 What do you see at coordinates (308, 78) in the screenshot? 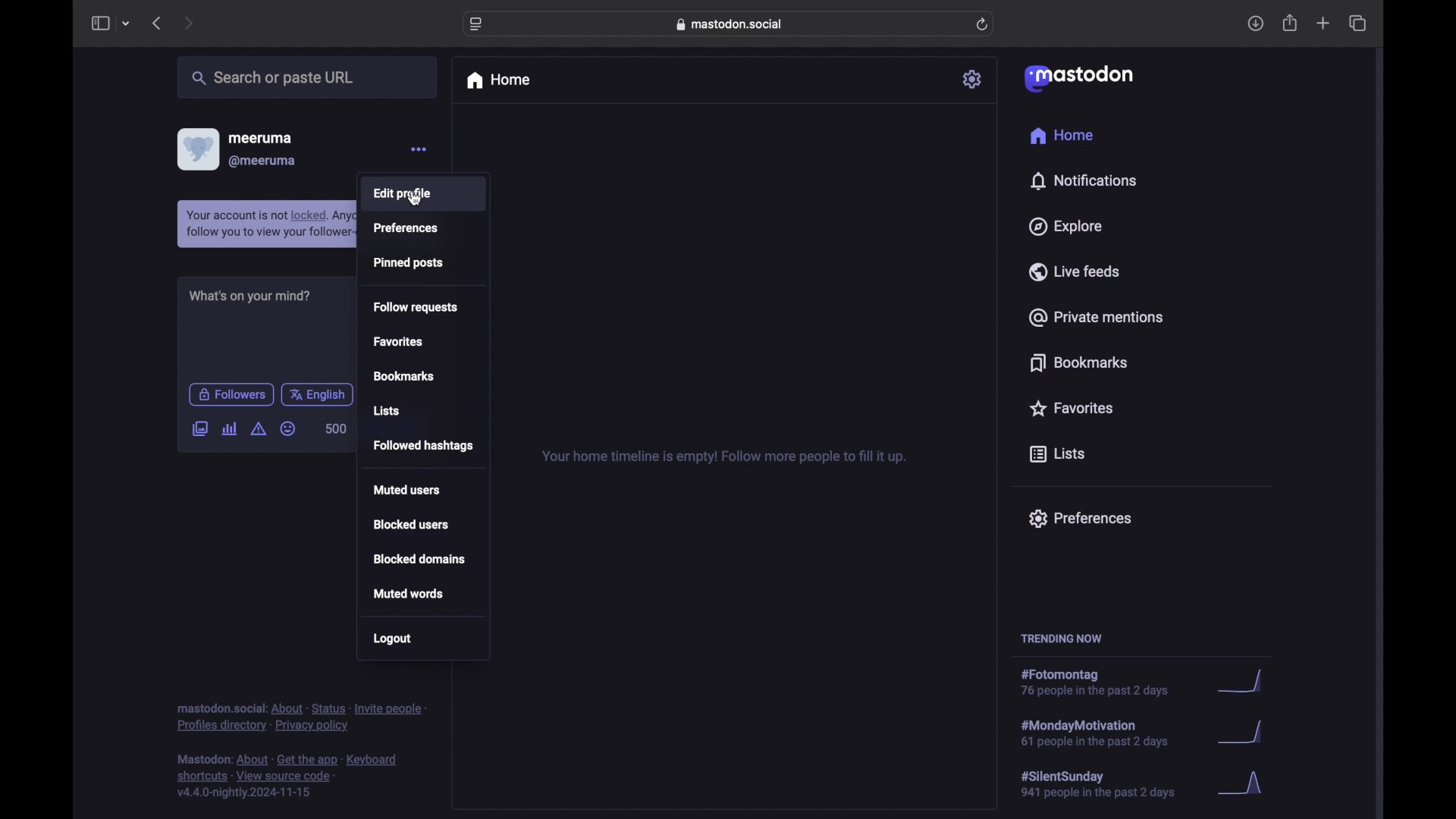
I see `search or paste url` at bounding box center [308, 78].